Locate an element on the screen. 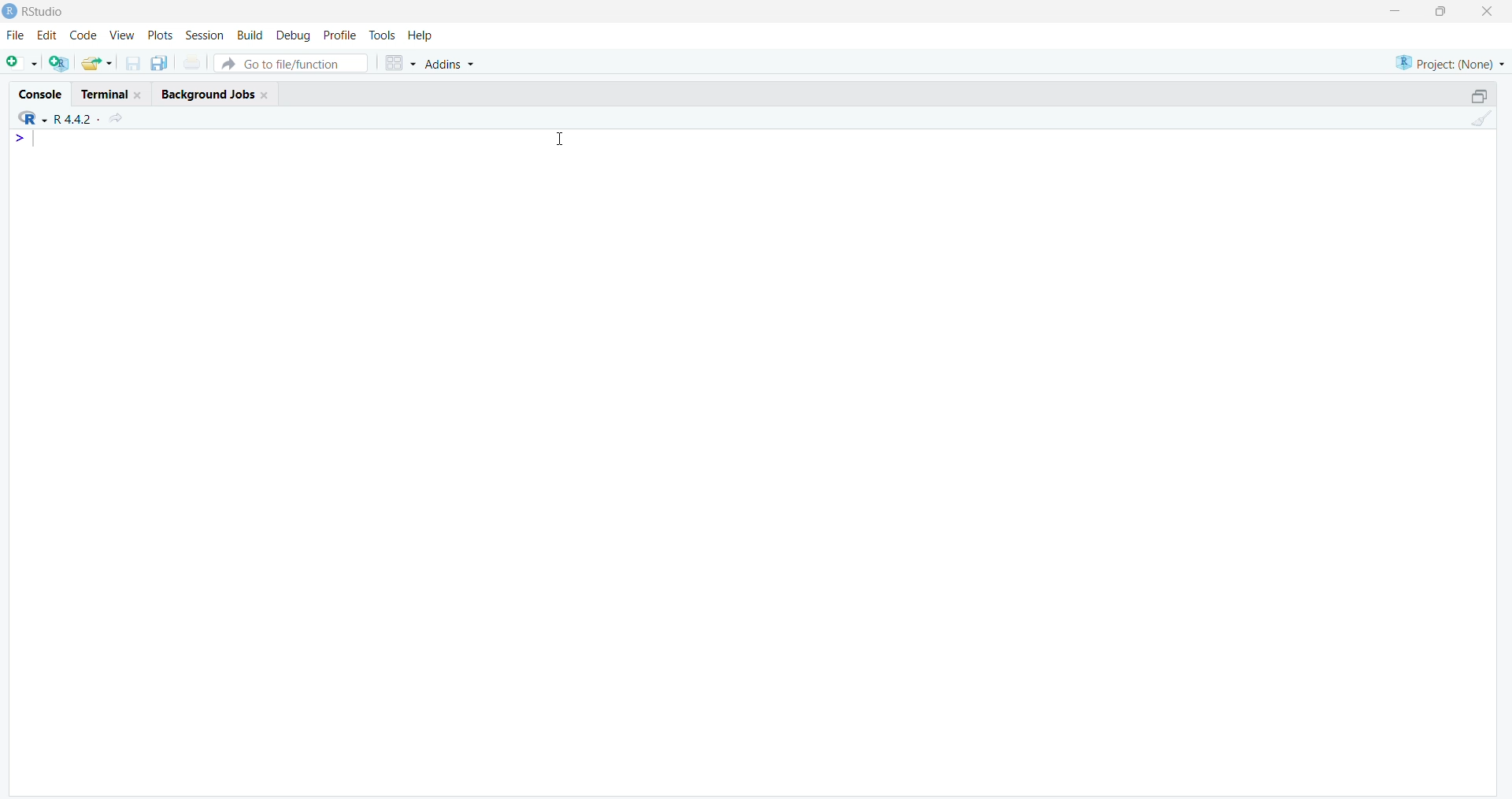 Image resolution: width=1512 pixels, height=799 pixels. Open an existing file (Ctrl + O) is located at coordinates (102, 63).